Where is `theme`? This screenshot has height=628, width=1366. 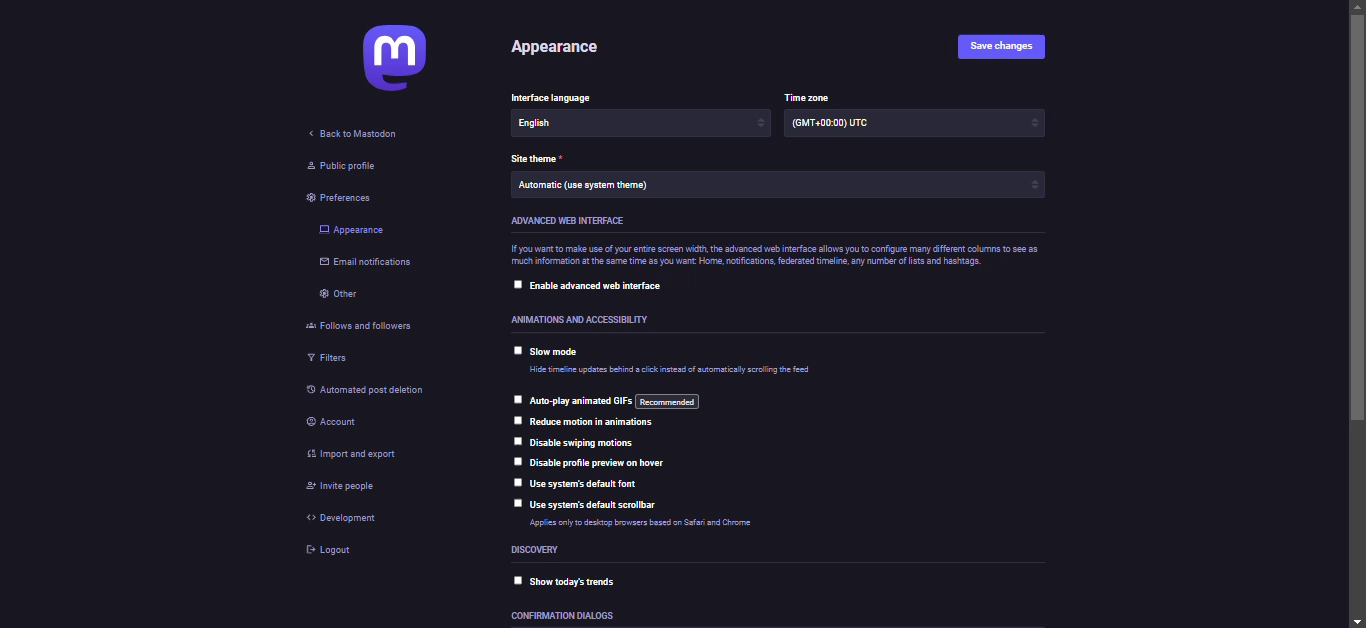
theme is located at coordinates (538, 160).